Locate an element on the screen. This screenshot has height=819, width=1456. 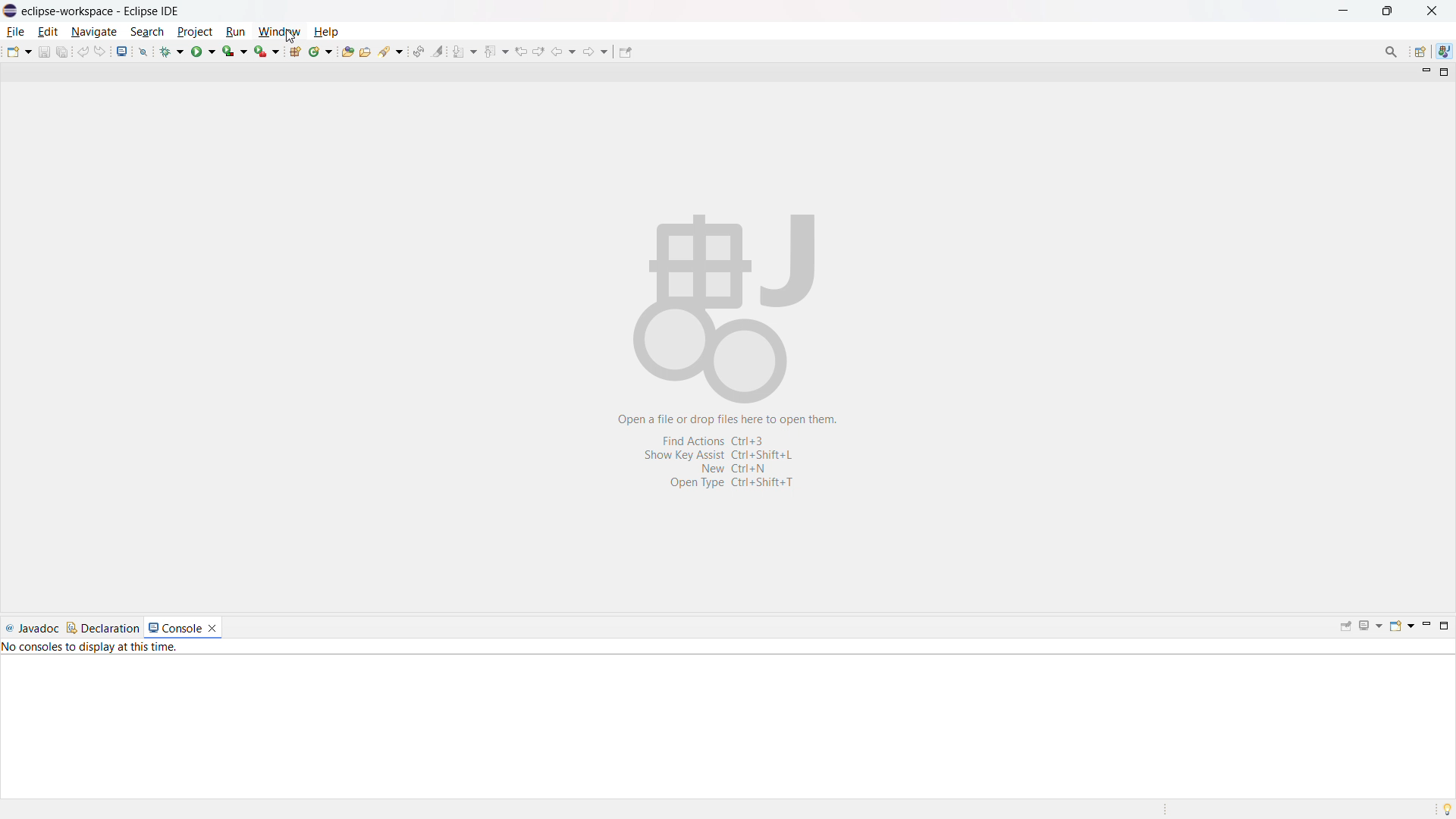
pin console is located at coordinates (1345, 627).